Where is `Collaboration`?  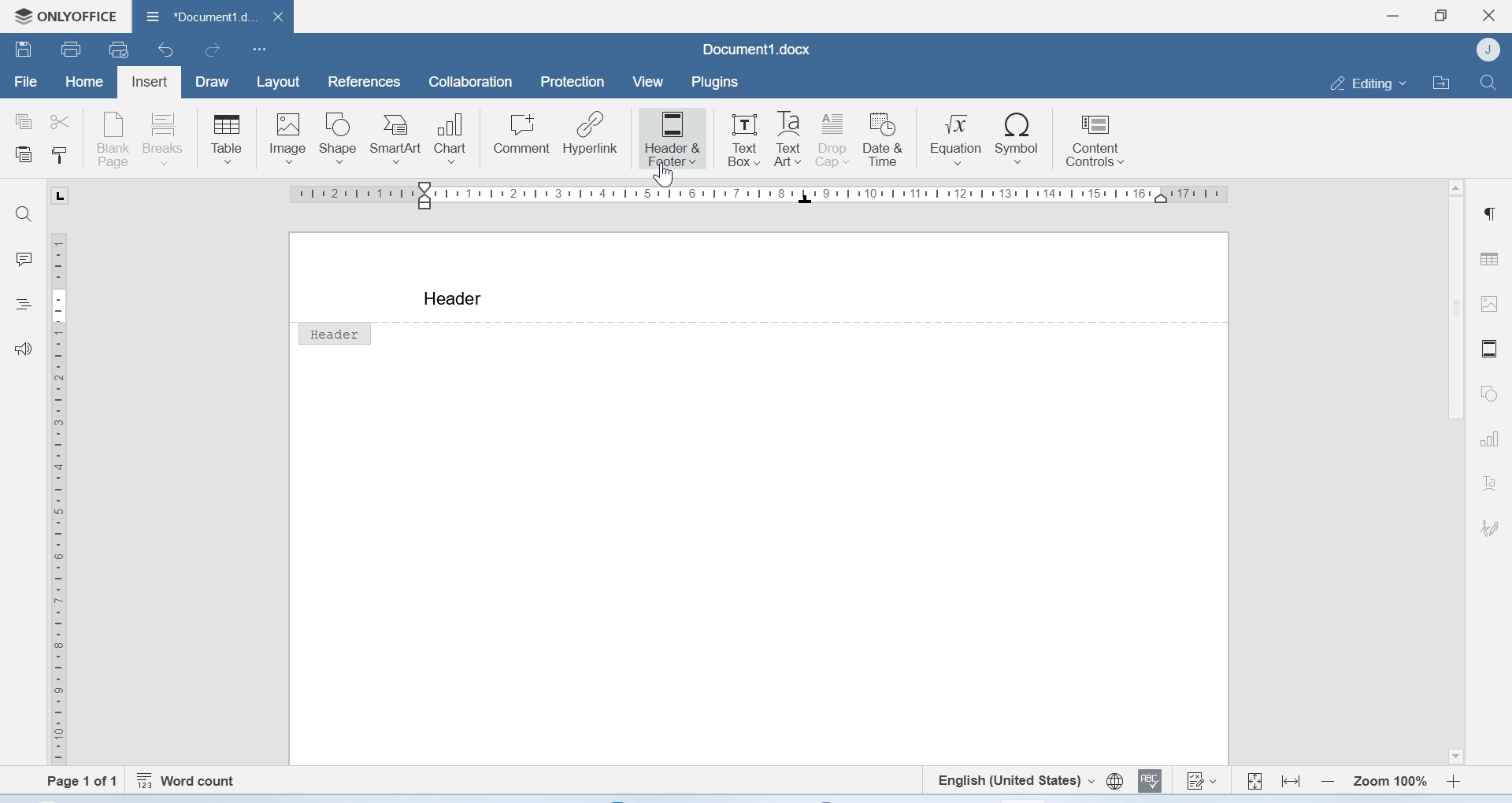 Collaboration is located at coordinates (471, 83).